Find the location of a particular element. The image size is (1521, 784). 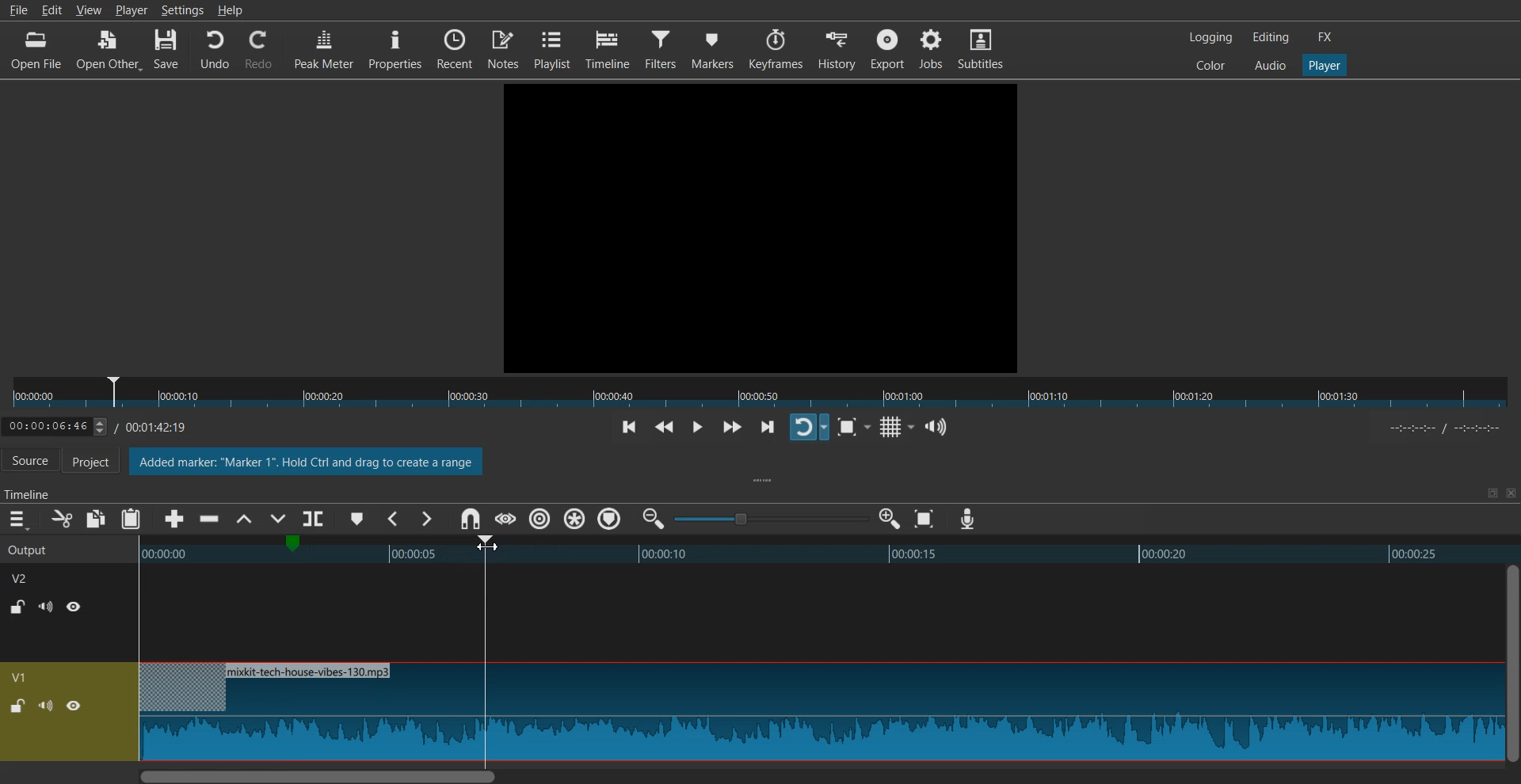

Show the volume control is located at coordinates (936, 428).